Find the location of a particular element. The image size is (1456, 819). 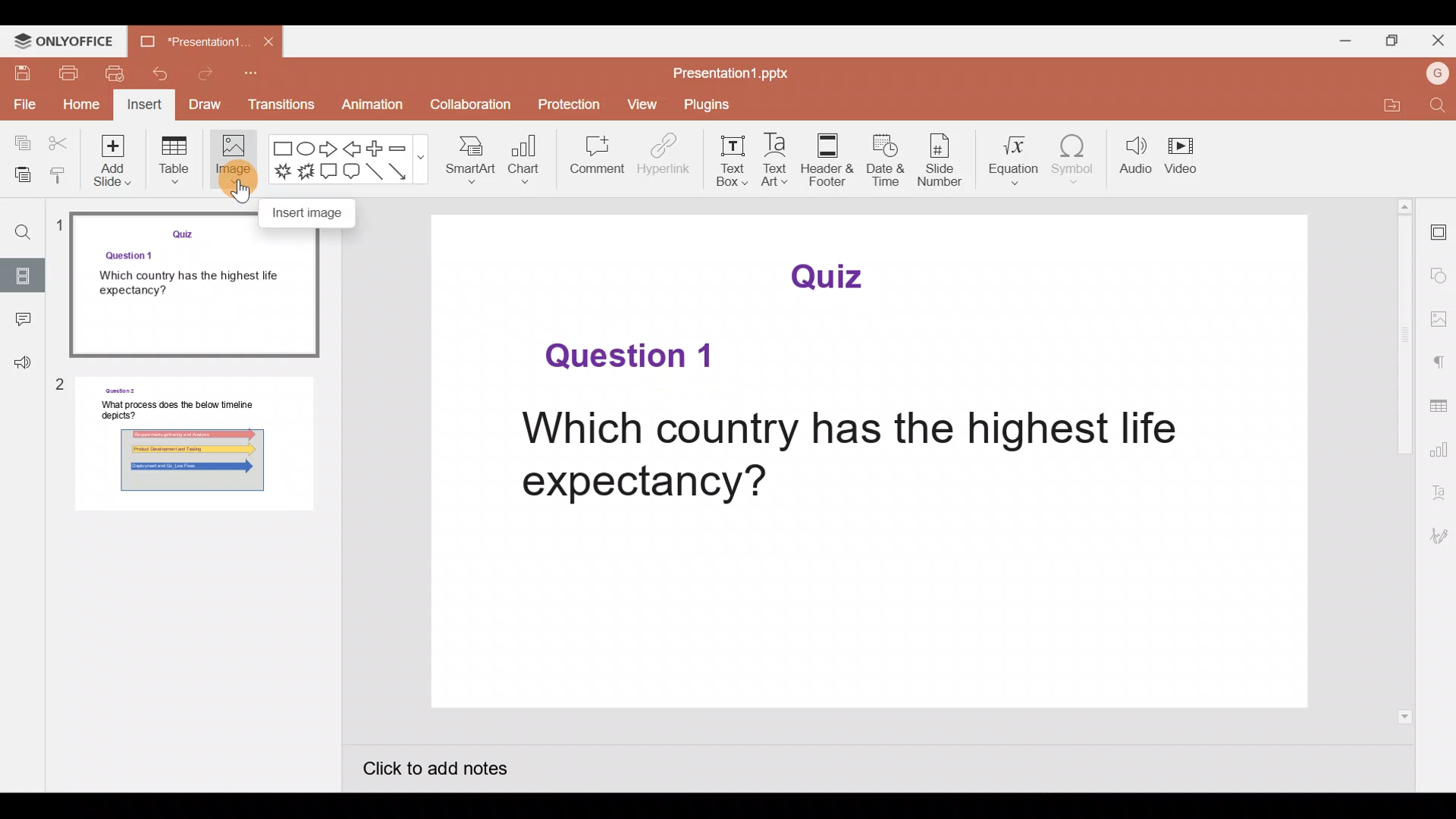

Slide number is located at coordinates (946, 162).